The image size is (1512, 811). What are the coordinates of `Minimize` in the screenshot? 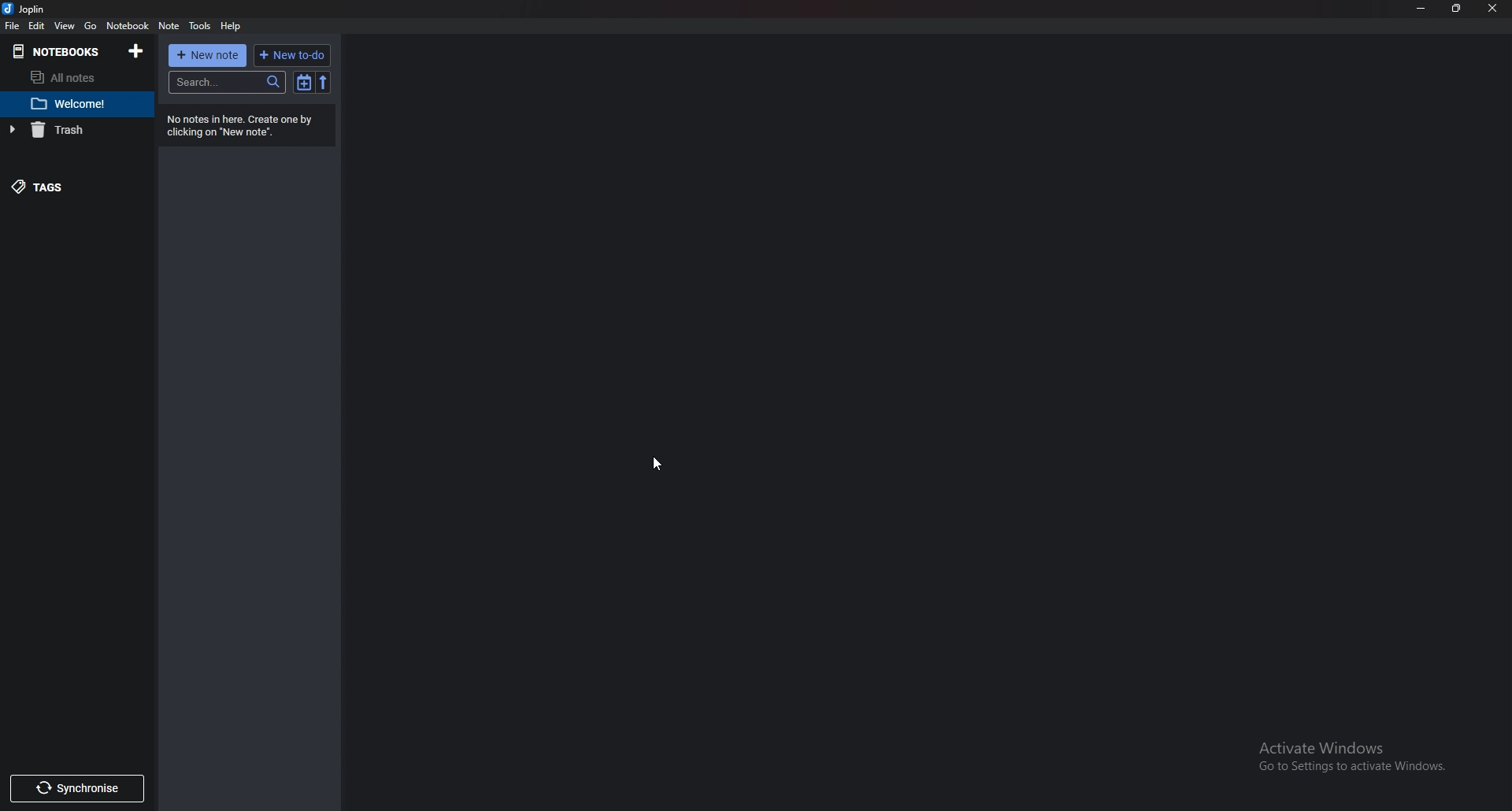 It's located at (1421, 9).